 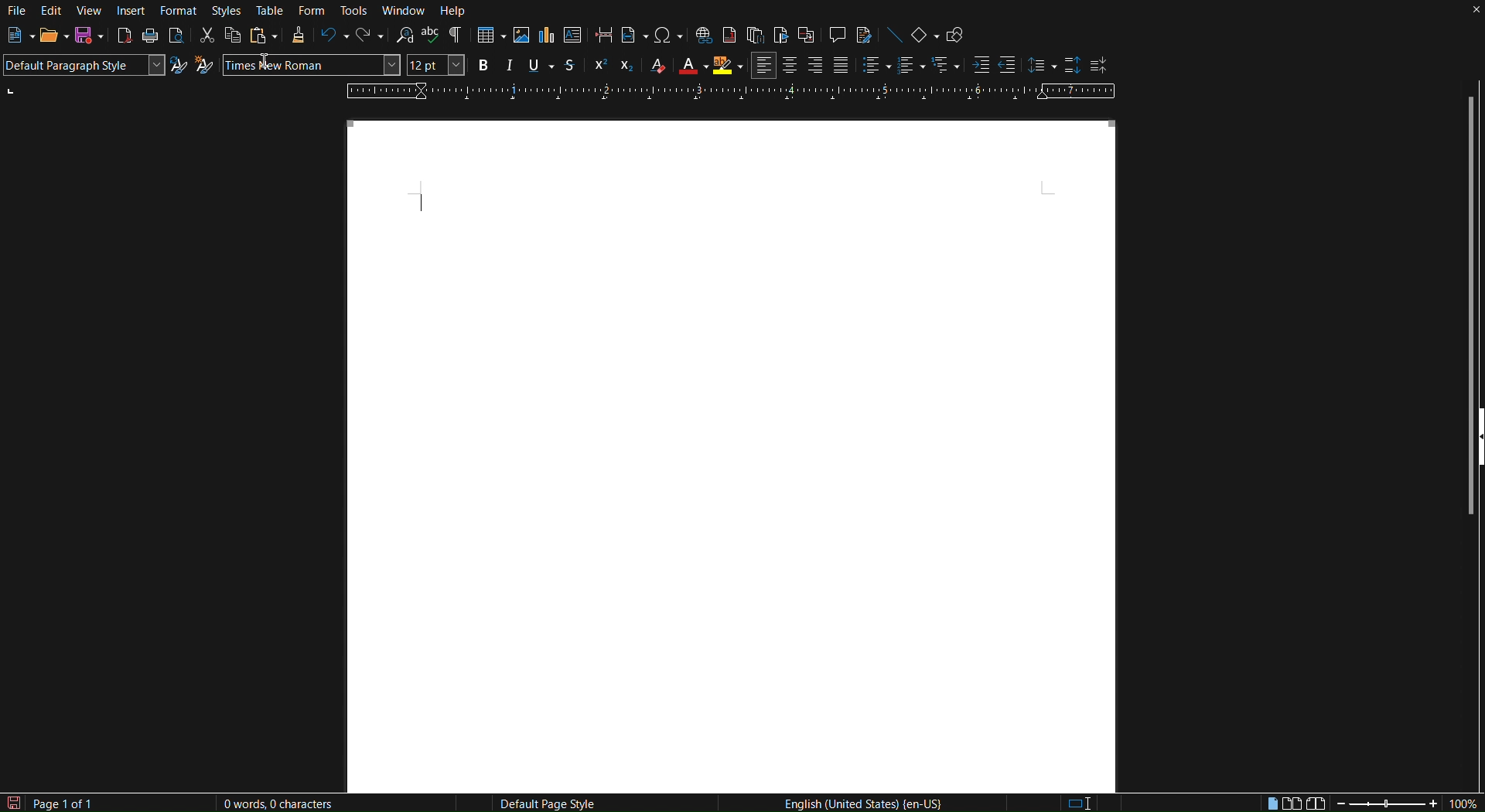 I want to click on Page 1 of 1, so click(x=80, y=802).